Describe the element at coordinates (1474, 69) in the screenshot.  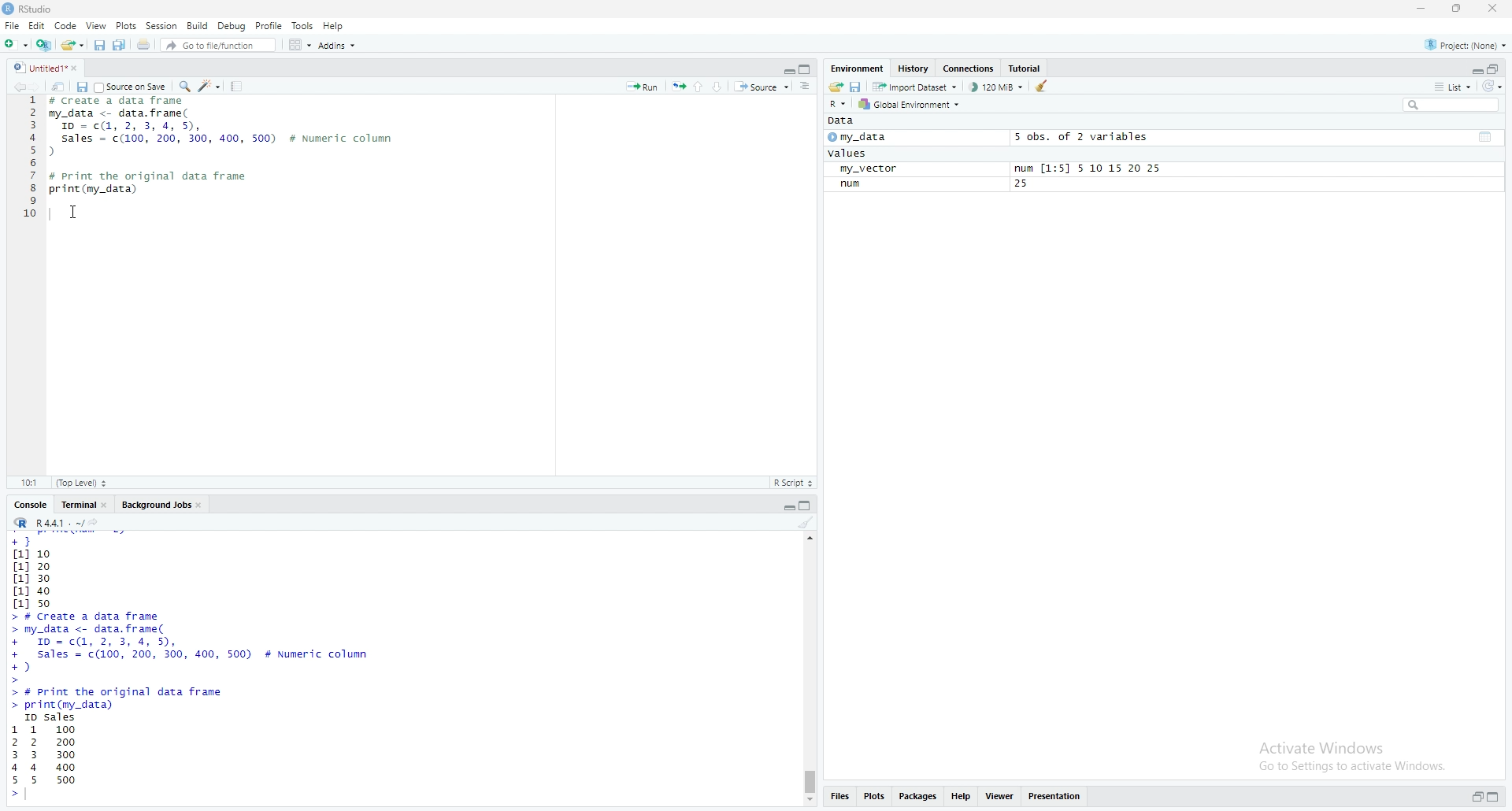
I see `minimize` at that location.